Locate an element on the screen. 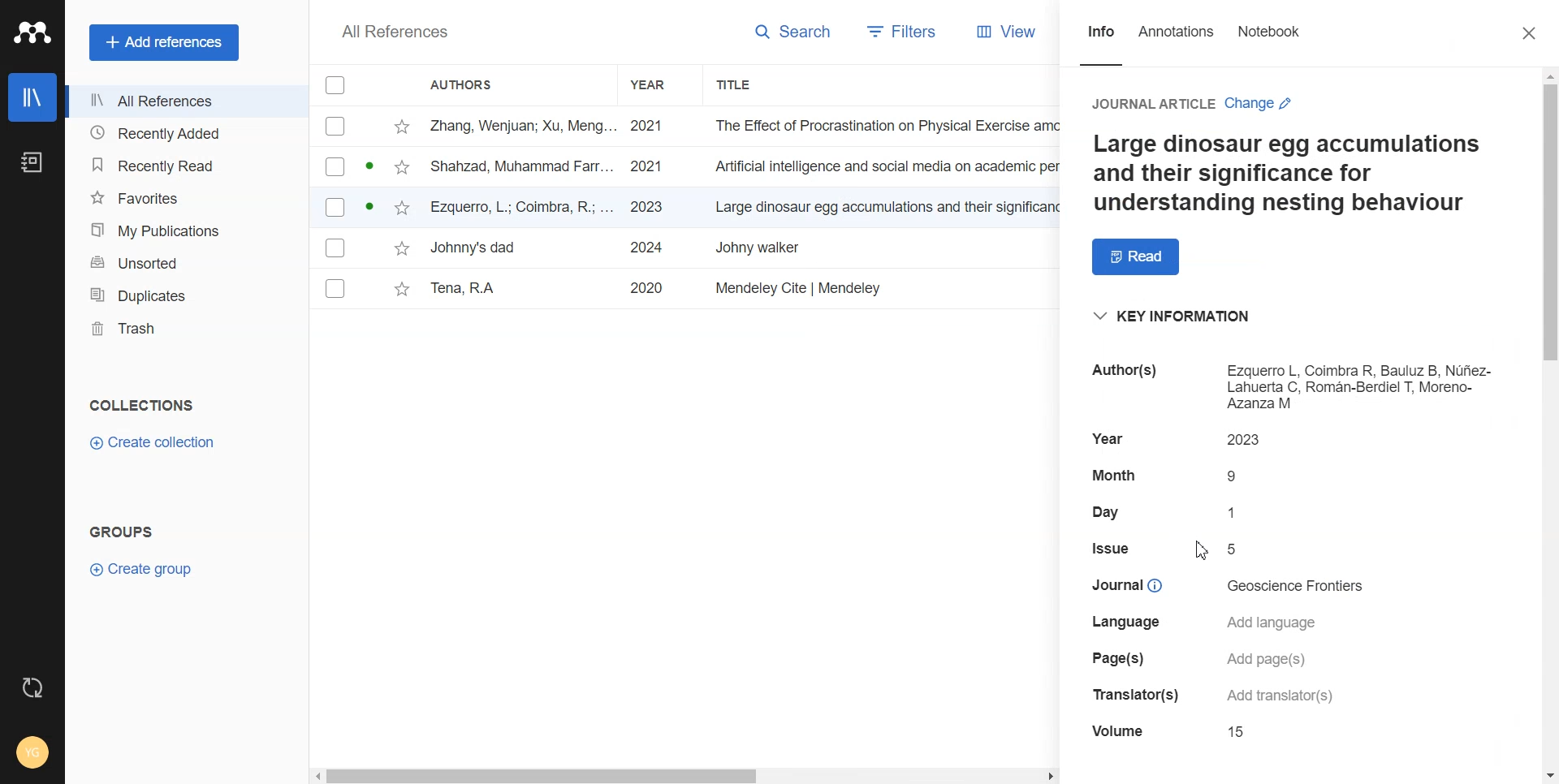 This screenshot has height=784, width=1559. Info is located at coordinates (1099, 34).